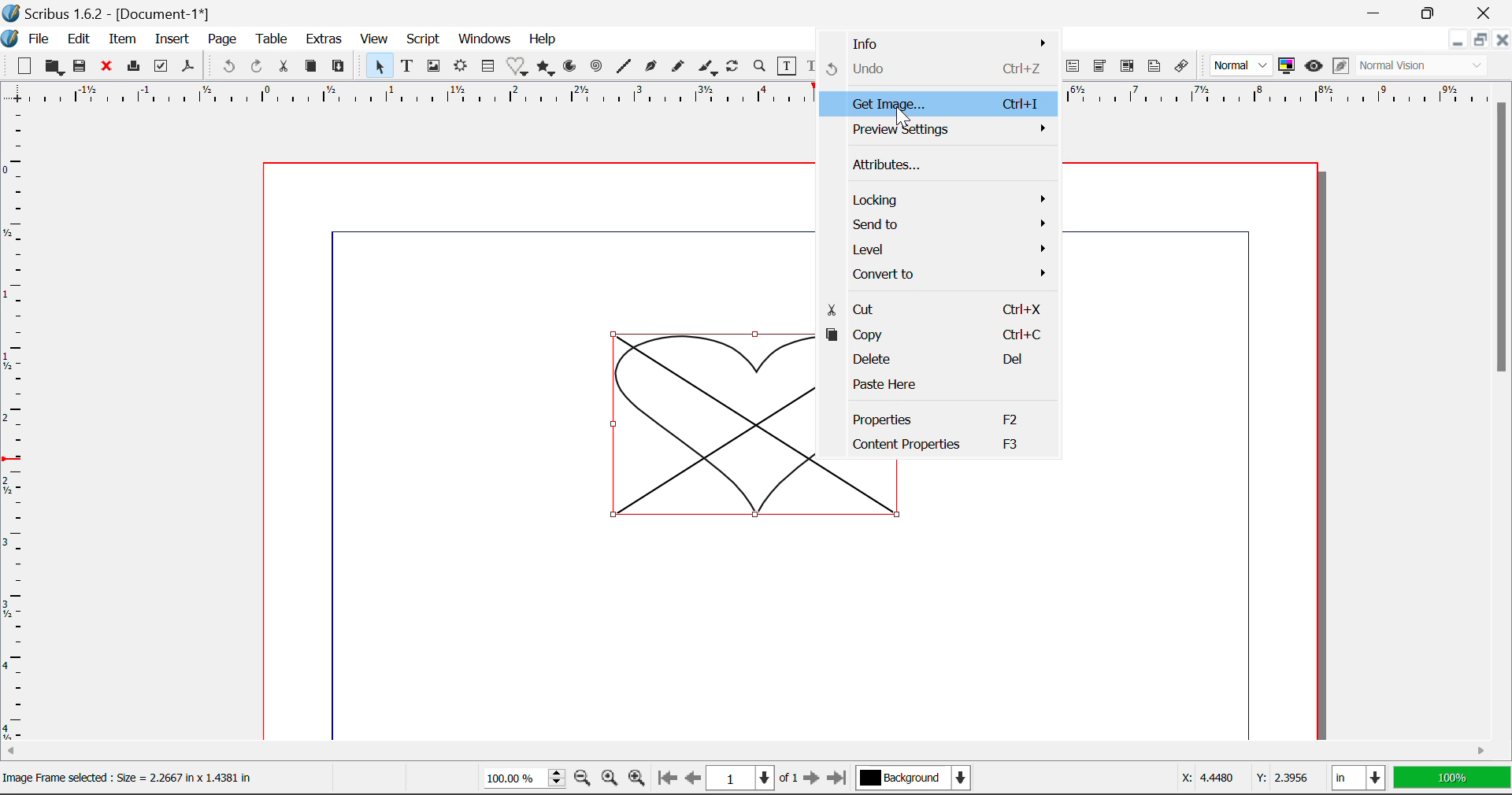  Describe the element at coordinates (937, 388) in the screenshot. I see `Paste Here` at that location.